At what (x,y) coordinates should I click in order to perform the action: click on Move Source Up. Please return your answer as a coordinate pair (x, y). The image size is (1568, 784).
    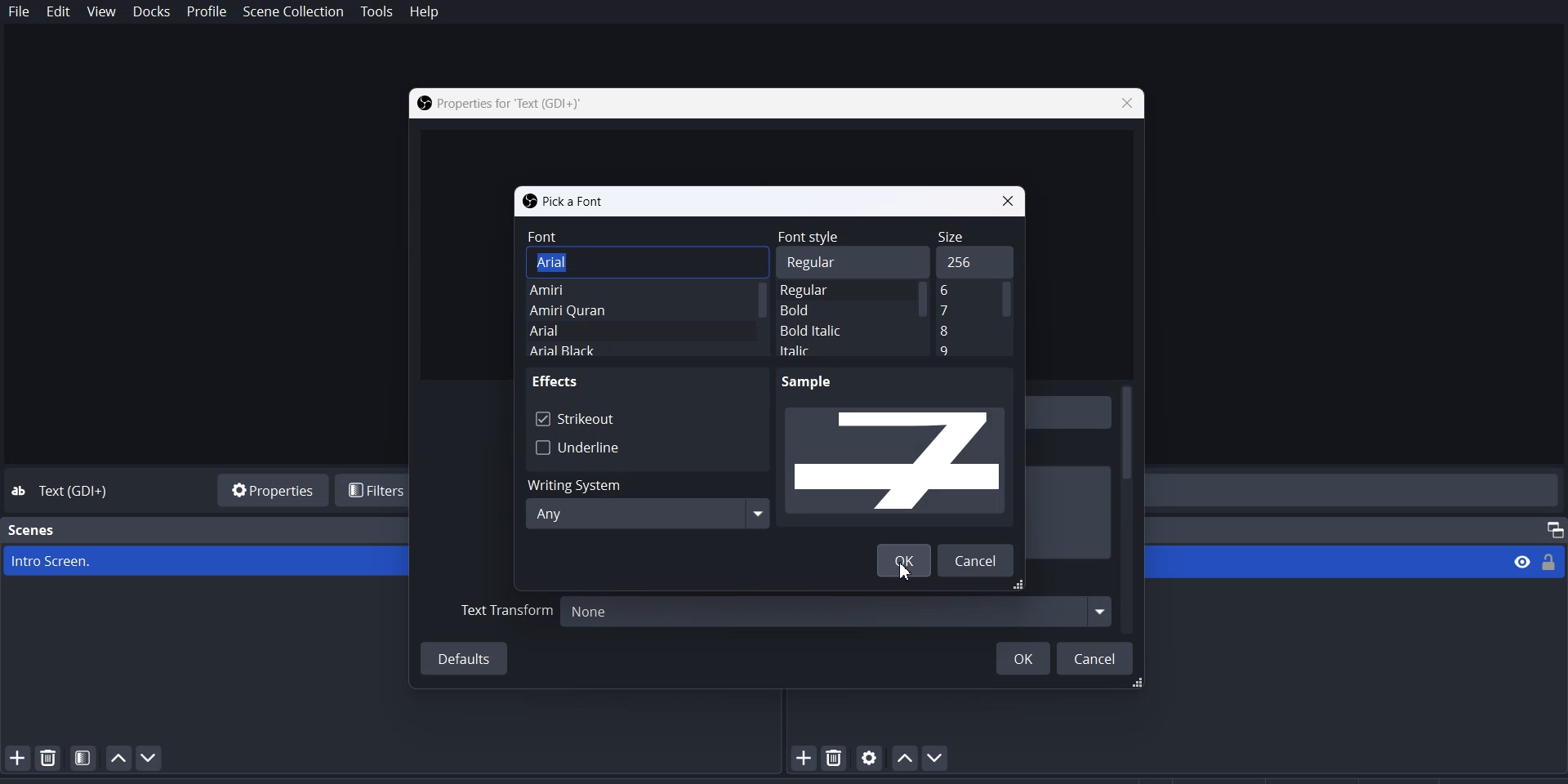
    Looking at the image, I should click on (903, 757).